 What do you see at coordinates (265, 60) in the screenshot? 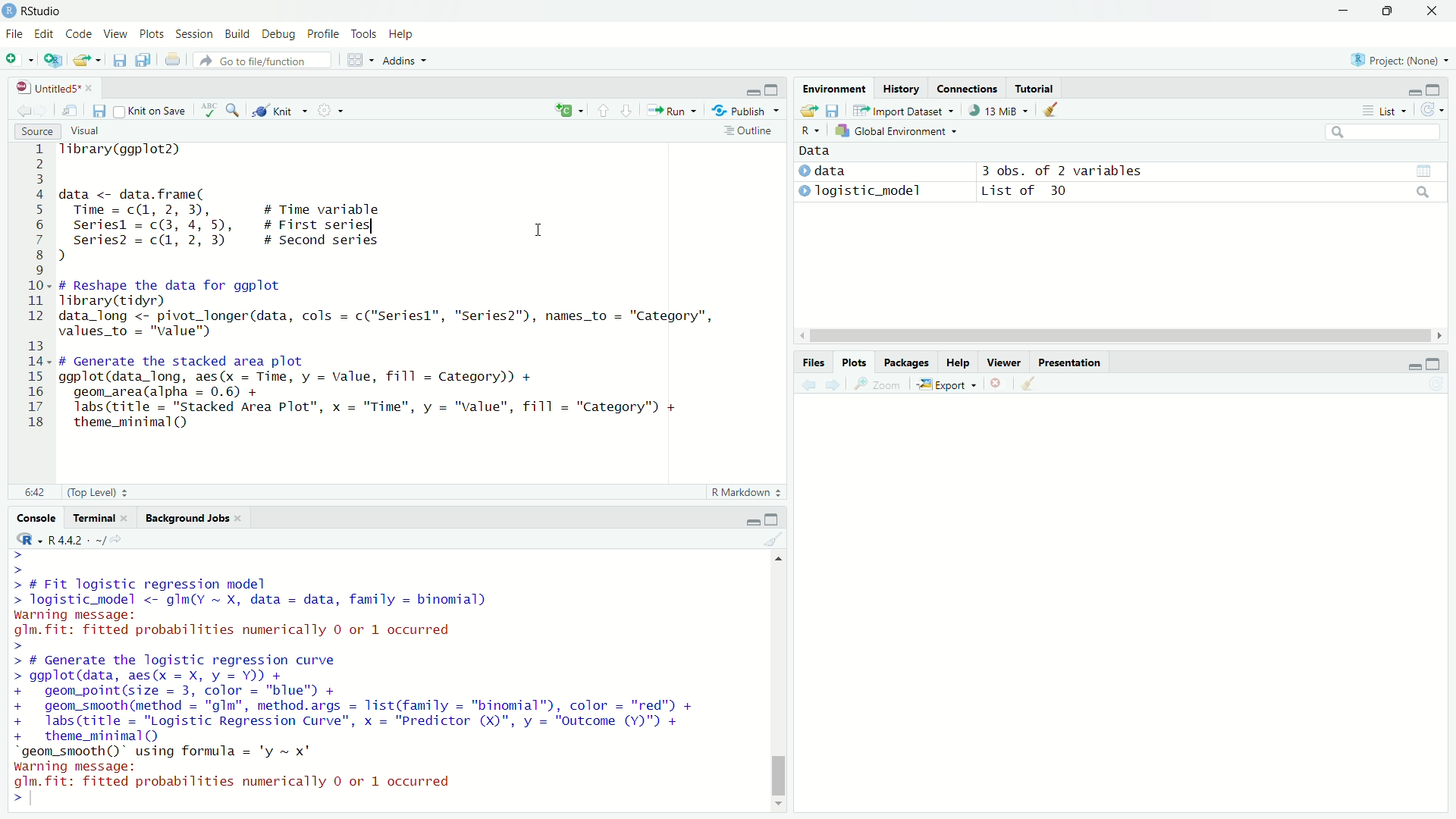
I see `Go to file/function` at bounding box center [265, 60].